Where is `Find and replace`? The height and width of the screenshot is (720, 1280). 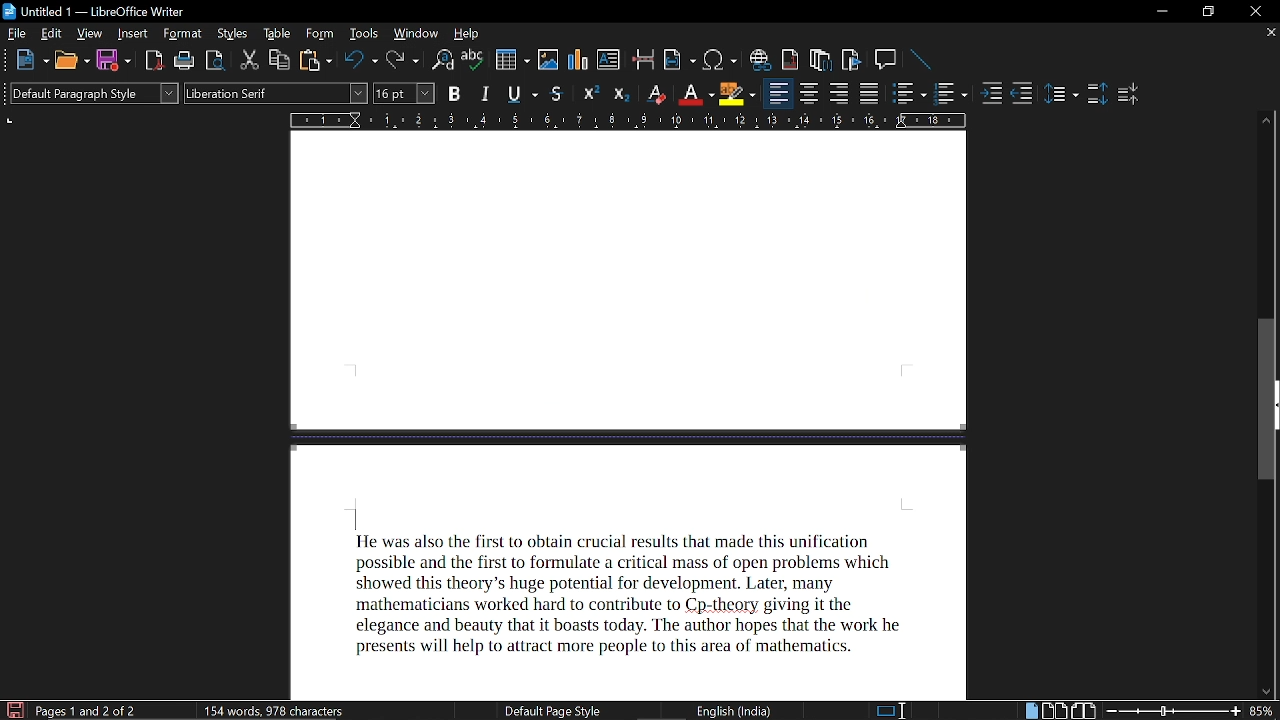
Find and replace is located at coordinates (444, 61).